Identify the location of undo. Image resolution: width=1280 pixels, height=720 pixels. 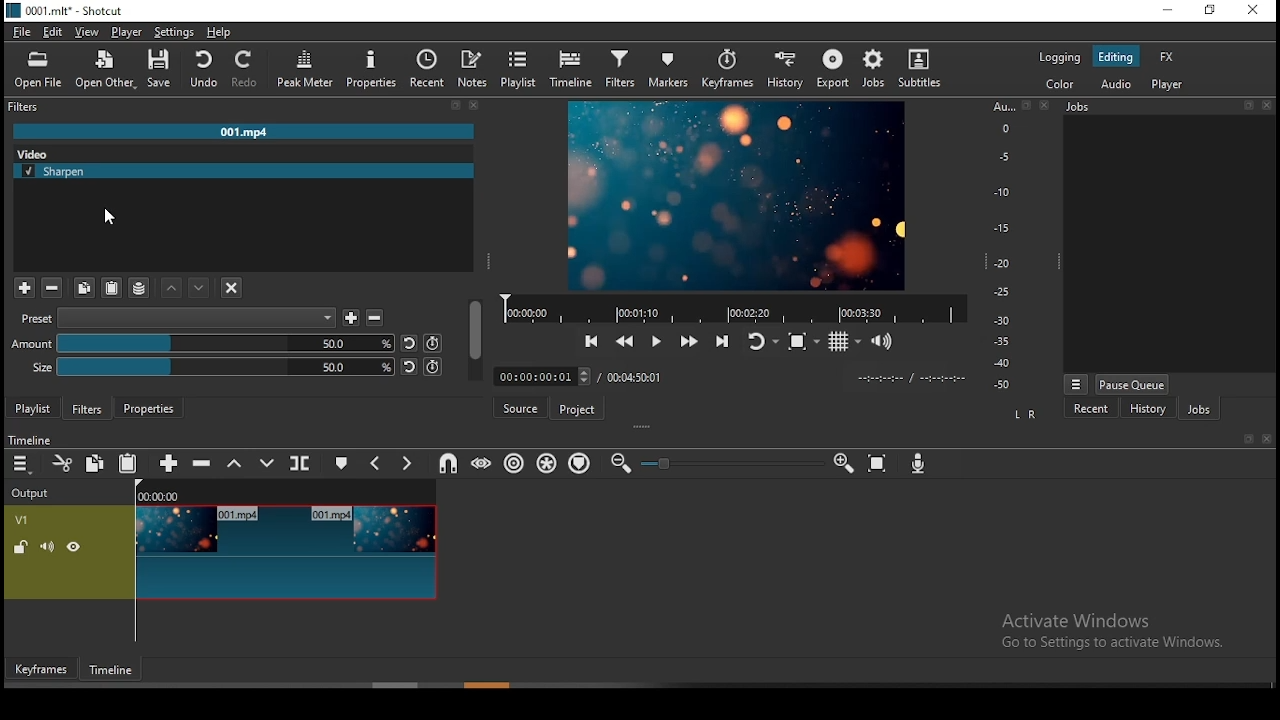
(411, 365).